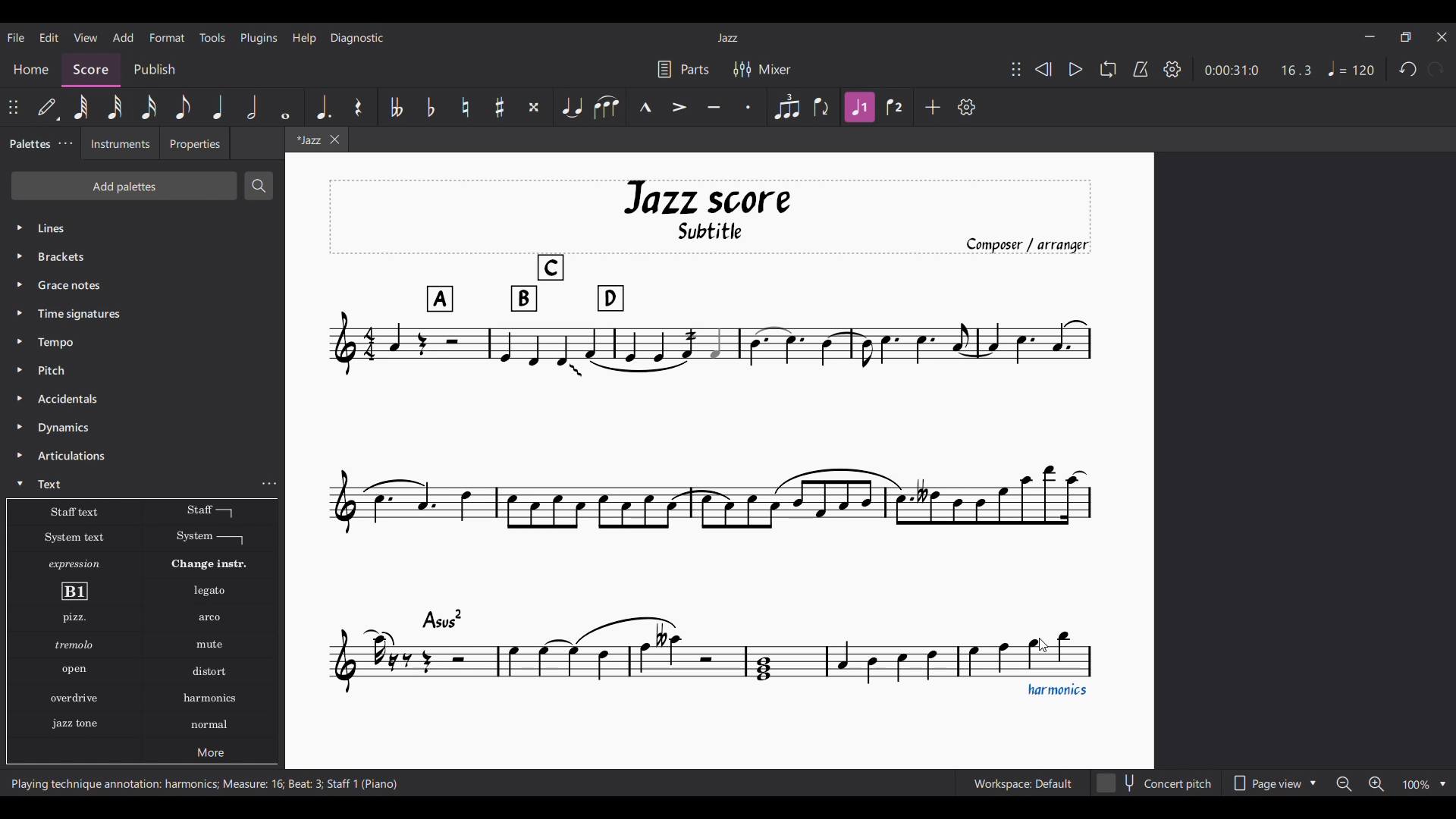  Describe the element at coordinates (22, 356) in the screenshot. I see `Expand` at that location.